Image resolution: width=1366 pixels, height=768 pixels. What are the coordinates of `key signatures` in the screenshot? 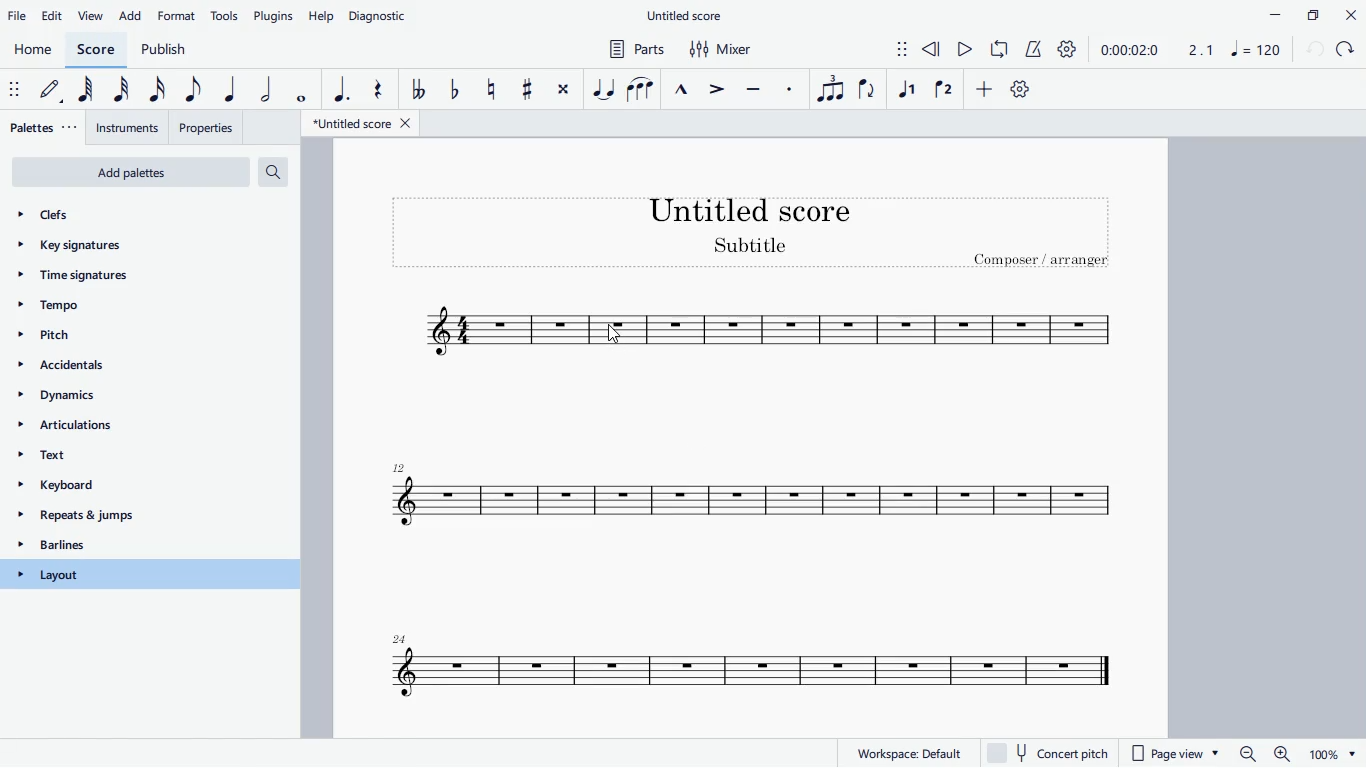 It's located at (116, 250).